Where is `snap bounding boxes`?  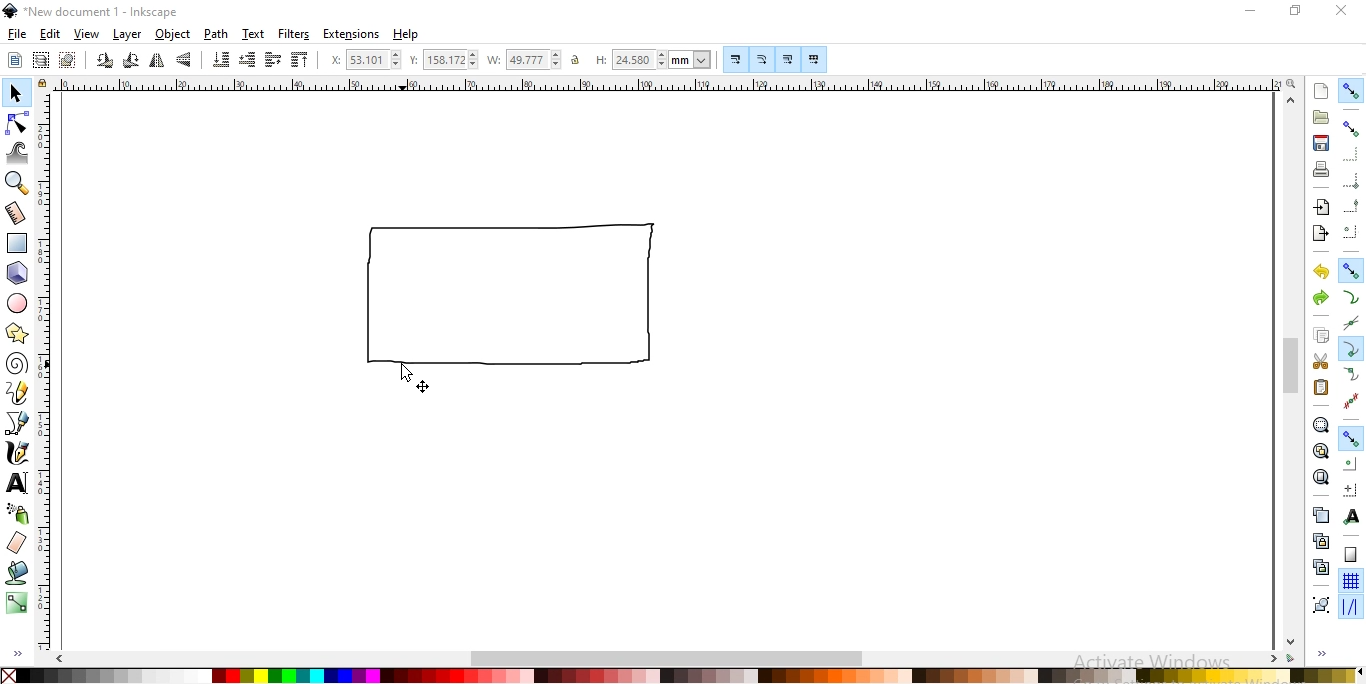 snap bounding boxes is located at coordinates (1353, 127).